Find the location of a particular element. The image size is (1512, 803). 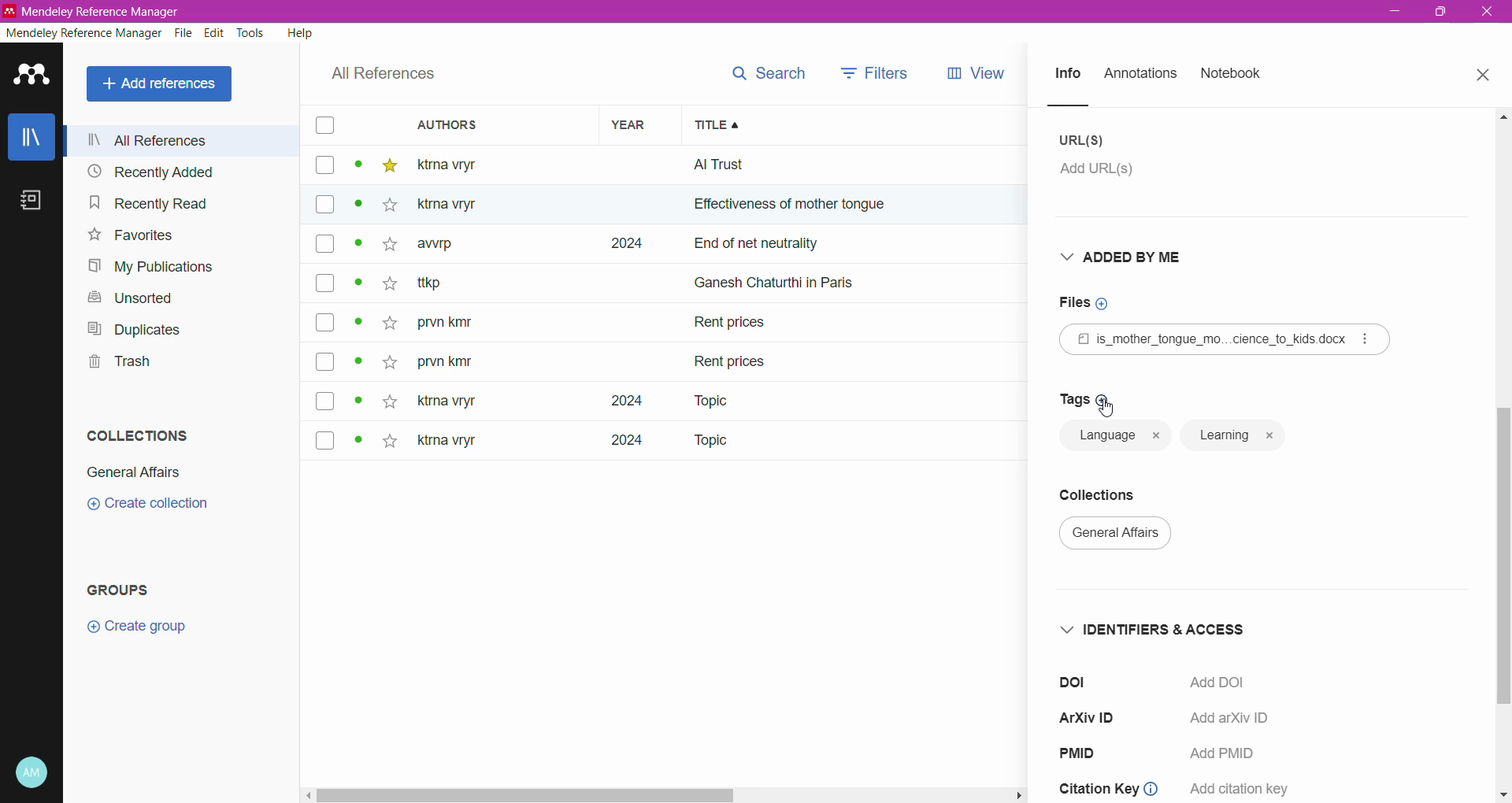

Application Logo is located at coordinates (32, 76).